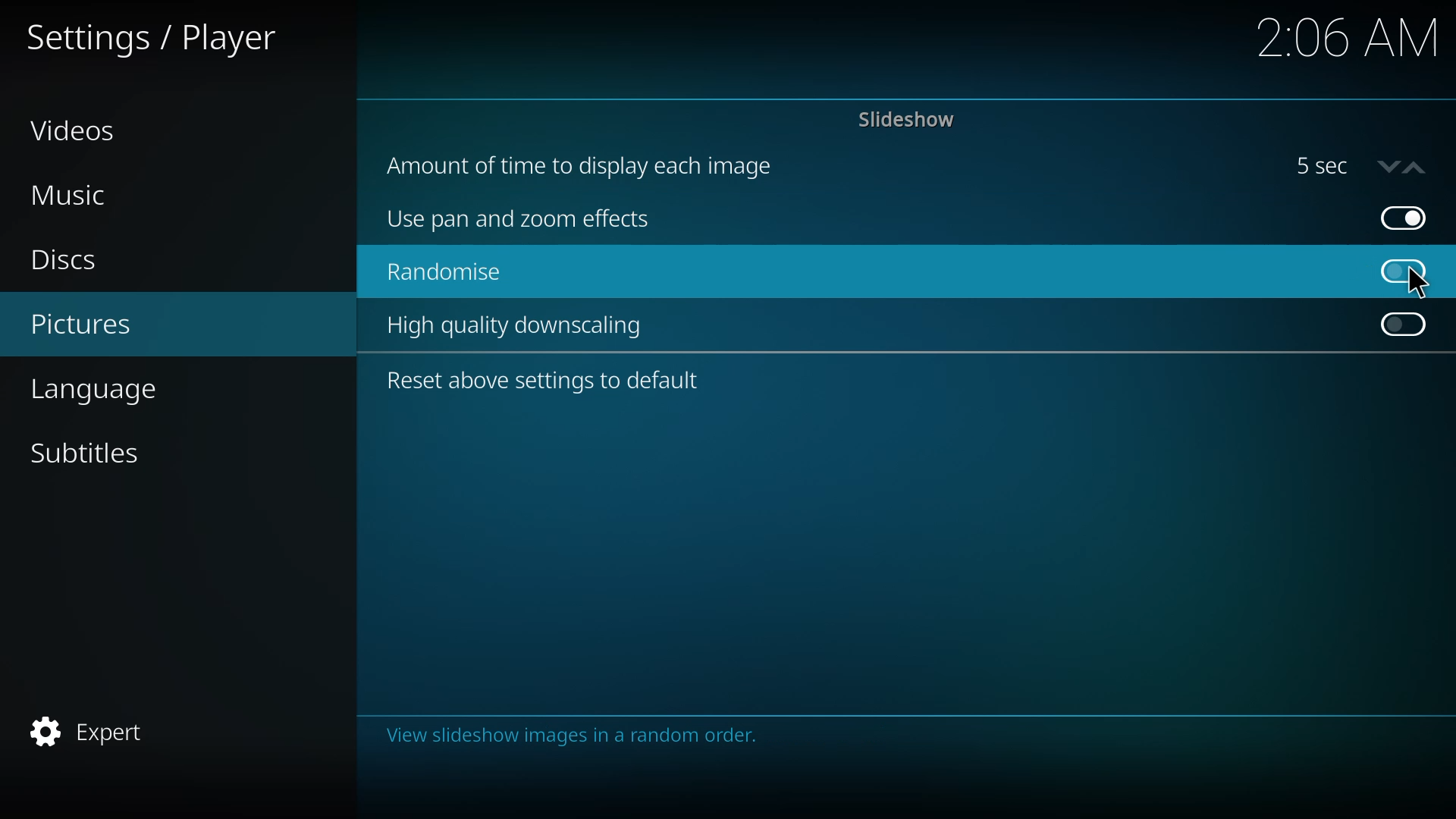 This screenshot has width=1456, height=819. Describe the element at coordinates (83, 453) in the screenshot. I see `subtitles` at that location.